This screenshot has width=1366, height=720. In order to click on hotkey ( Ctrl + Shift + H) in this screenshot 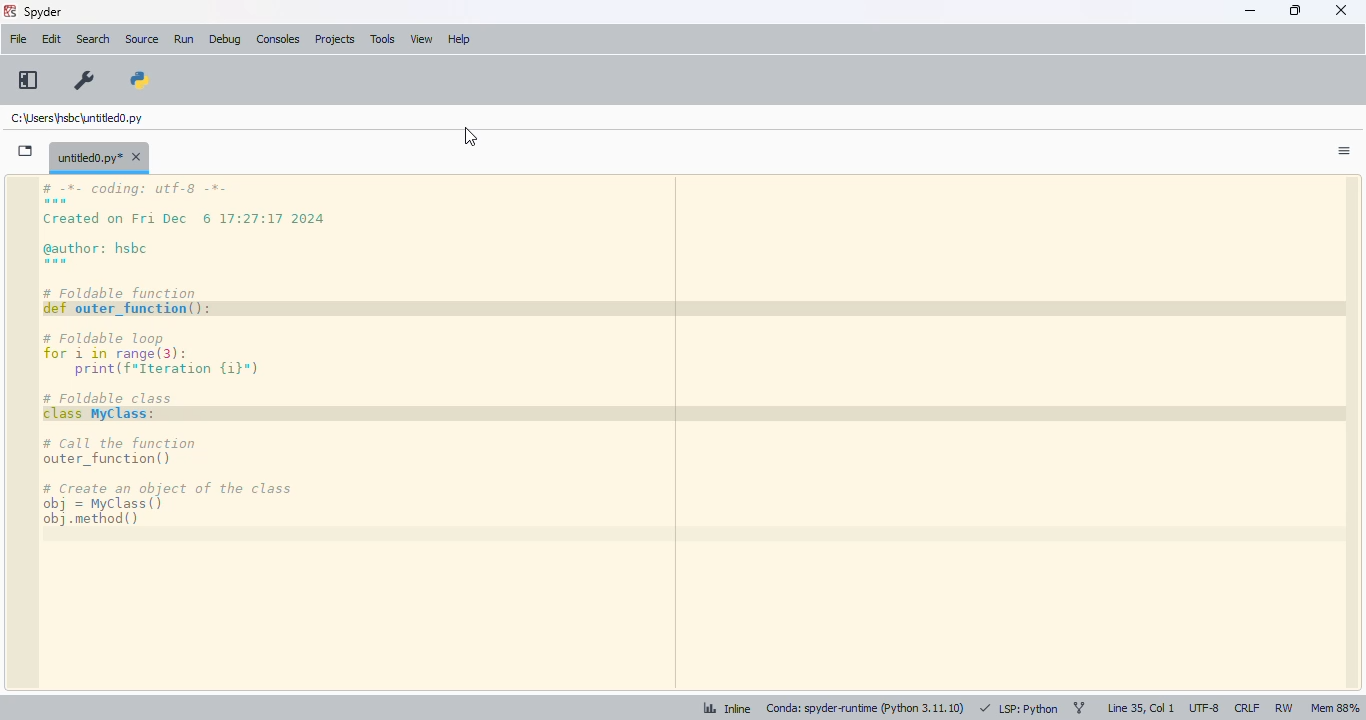, I will do `click(470, 137)`.